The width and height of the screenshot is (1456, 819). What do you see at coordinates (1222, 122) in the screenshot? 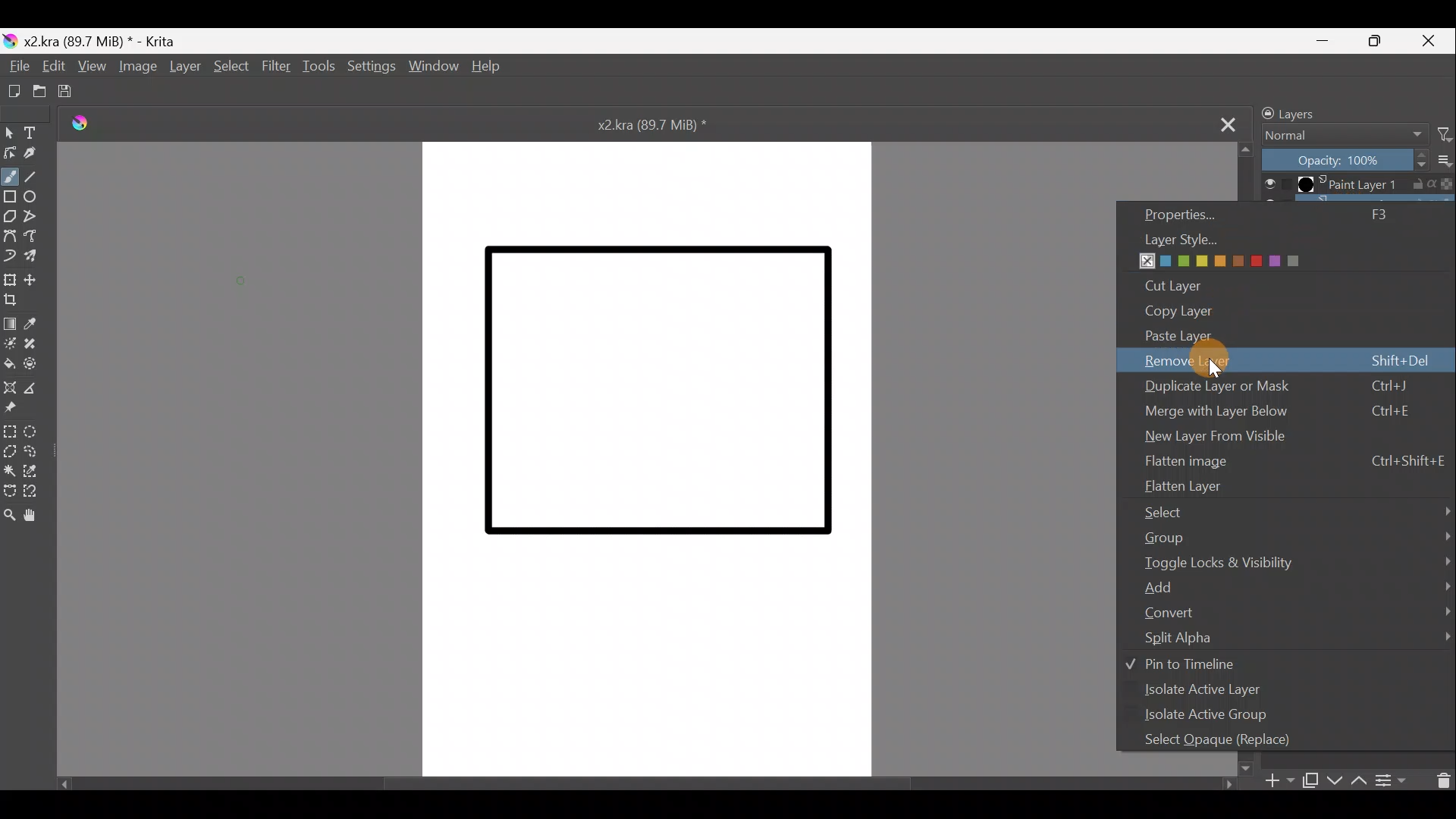
I see `Close tab` at bounding box center [1222, 122].